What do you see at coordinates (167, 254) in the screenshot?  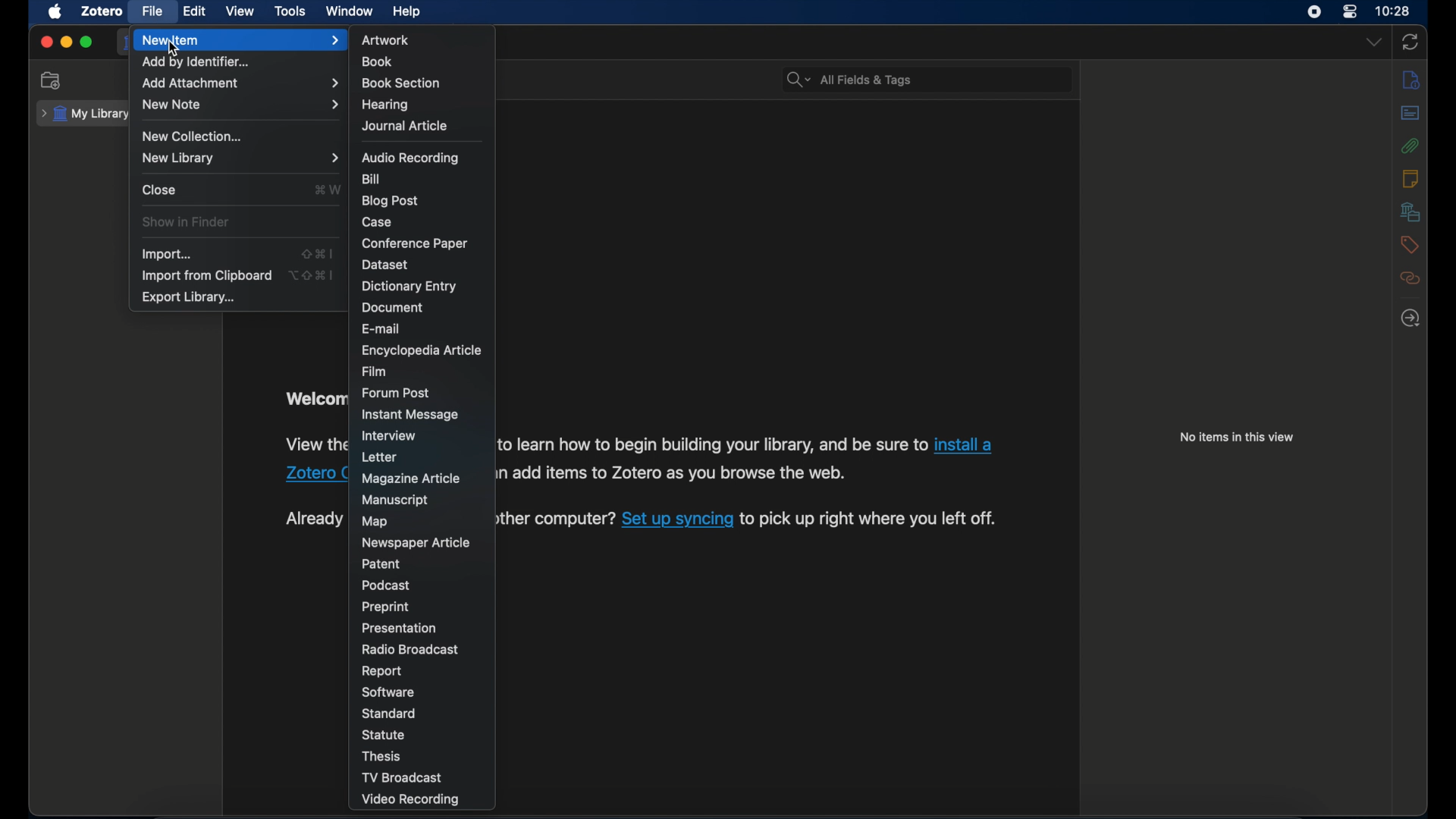 I see `import` at bounding box center [167, 254].